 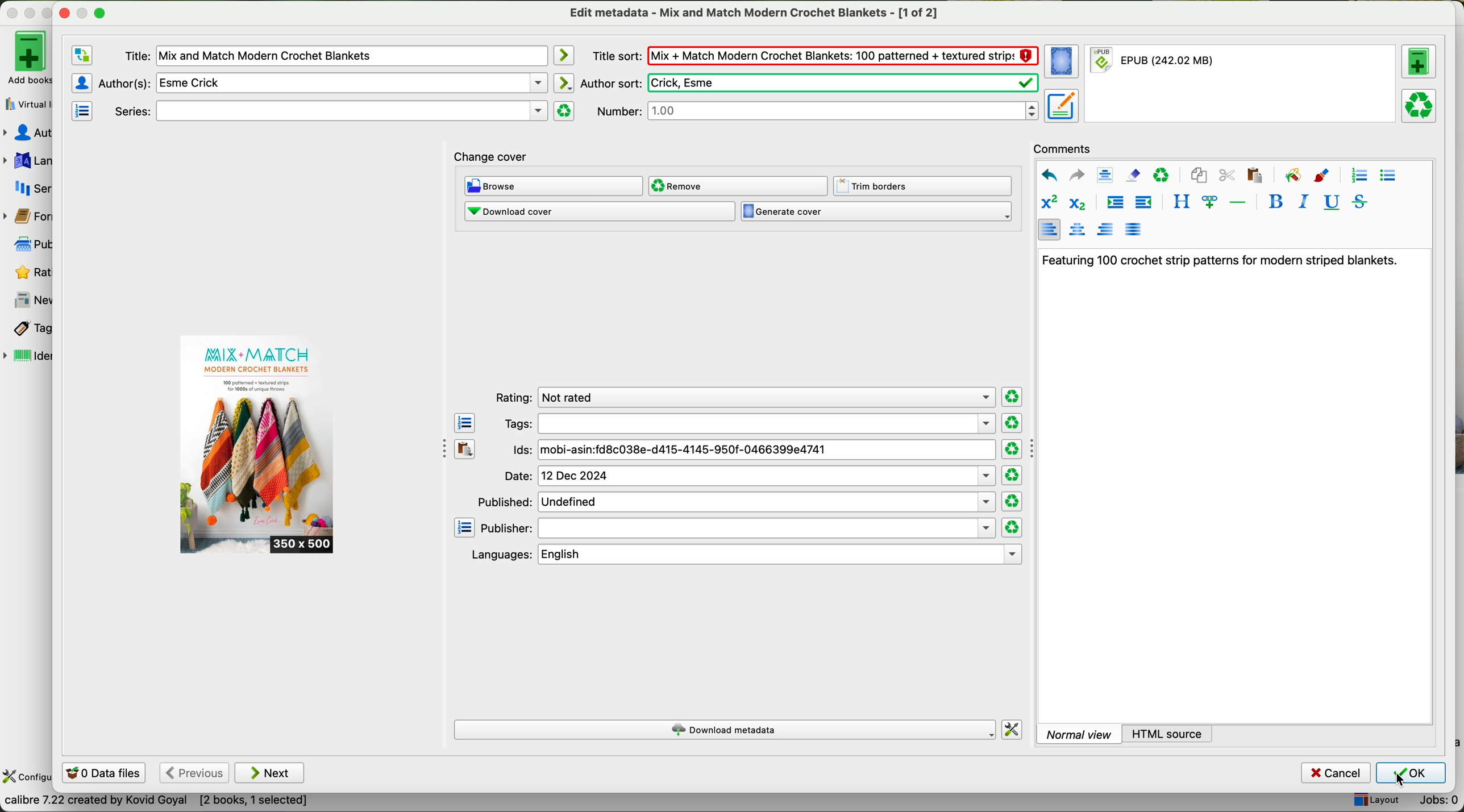 I want to click on clear rating, so click(x=1012, y=528).